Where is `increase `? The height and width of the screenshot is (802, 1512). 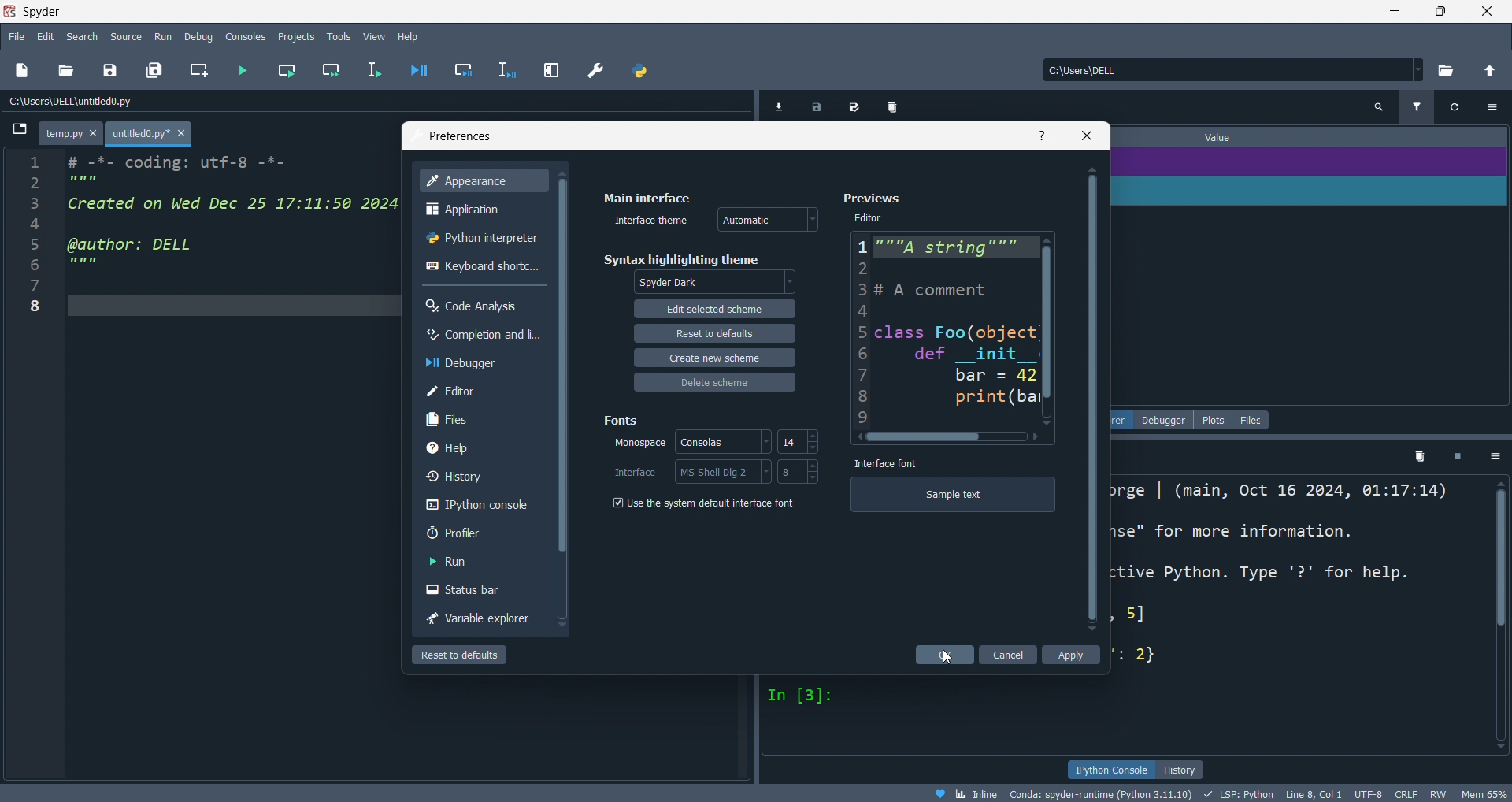
increase  is located at coordinates (817, 464).